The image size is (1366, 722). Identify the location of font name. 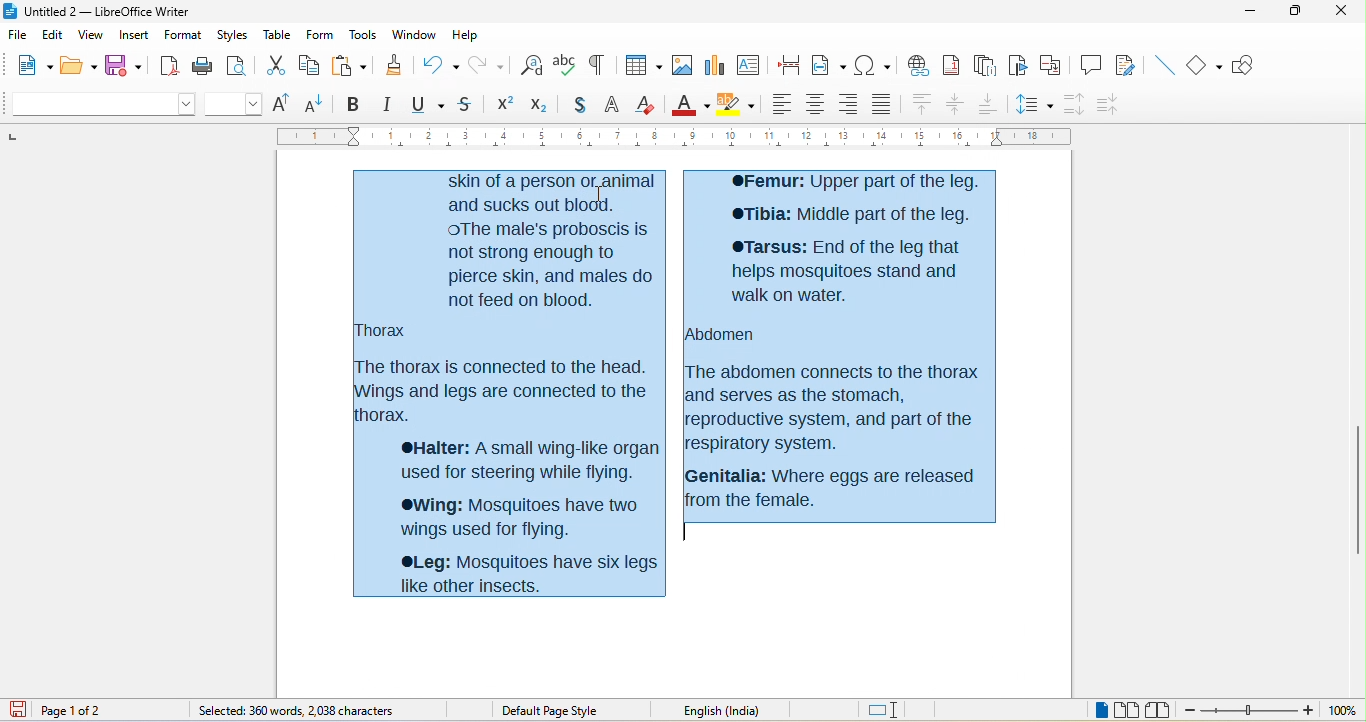
(99, 105).